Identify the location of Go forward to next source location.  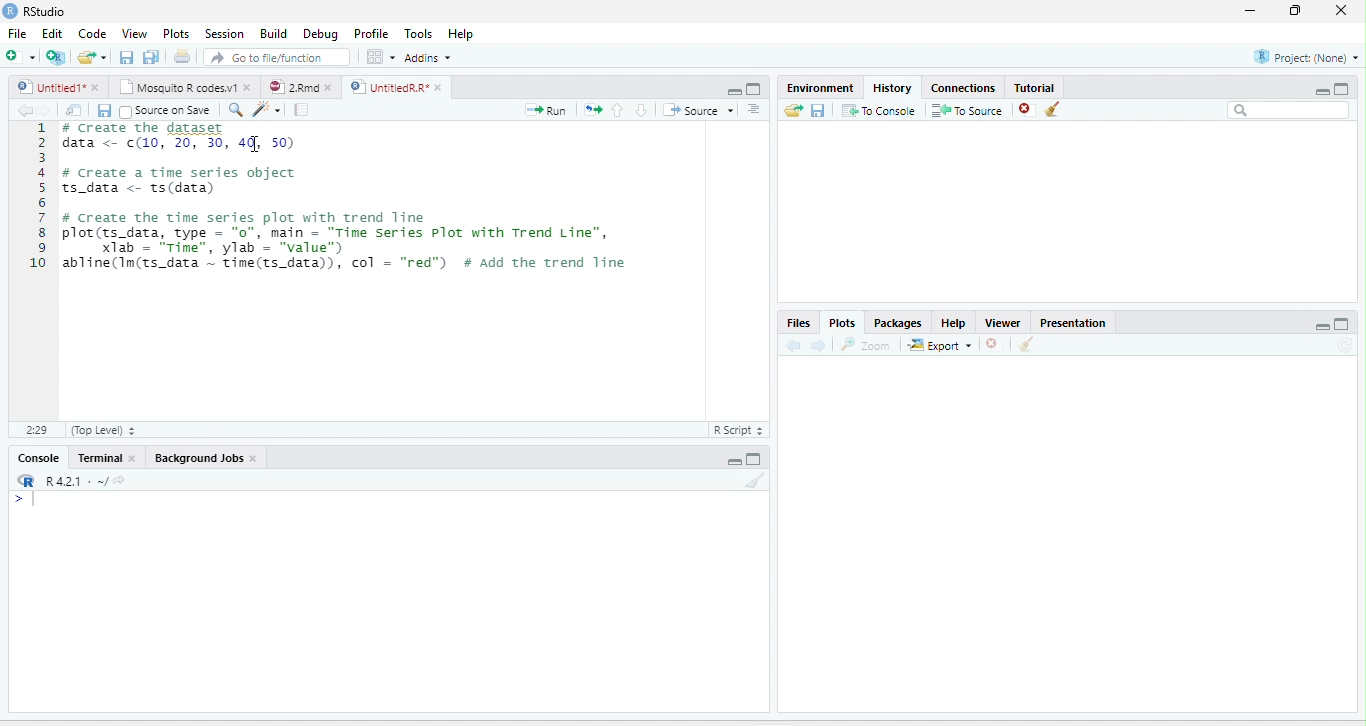
(44, 110).